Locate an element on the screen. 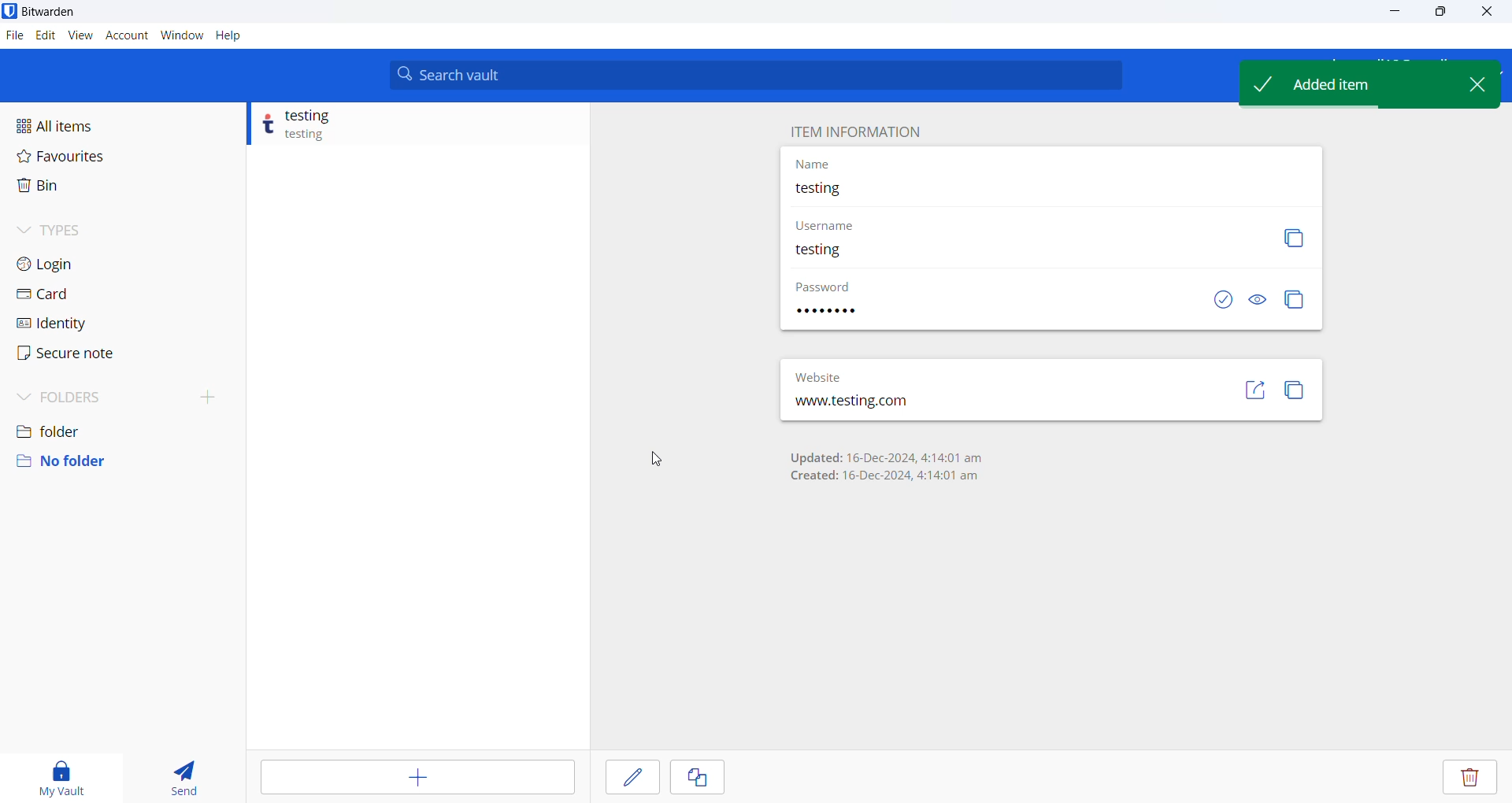  username heading is located at coordinates (834, 223).